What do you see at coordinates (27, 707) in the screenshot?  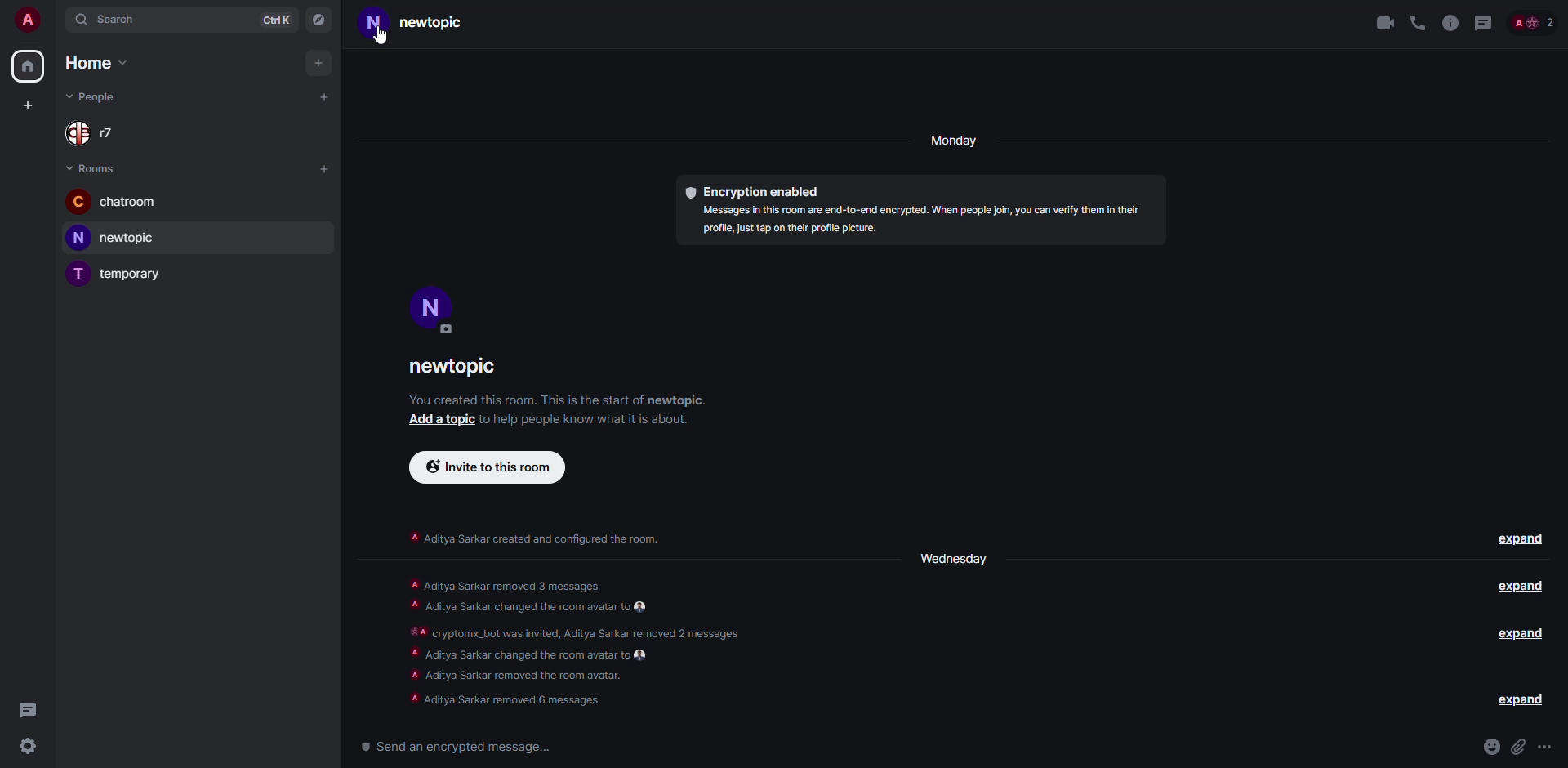 I see `threads` at bounding box center [27, 707].